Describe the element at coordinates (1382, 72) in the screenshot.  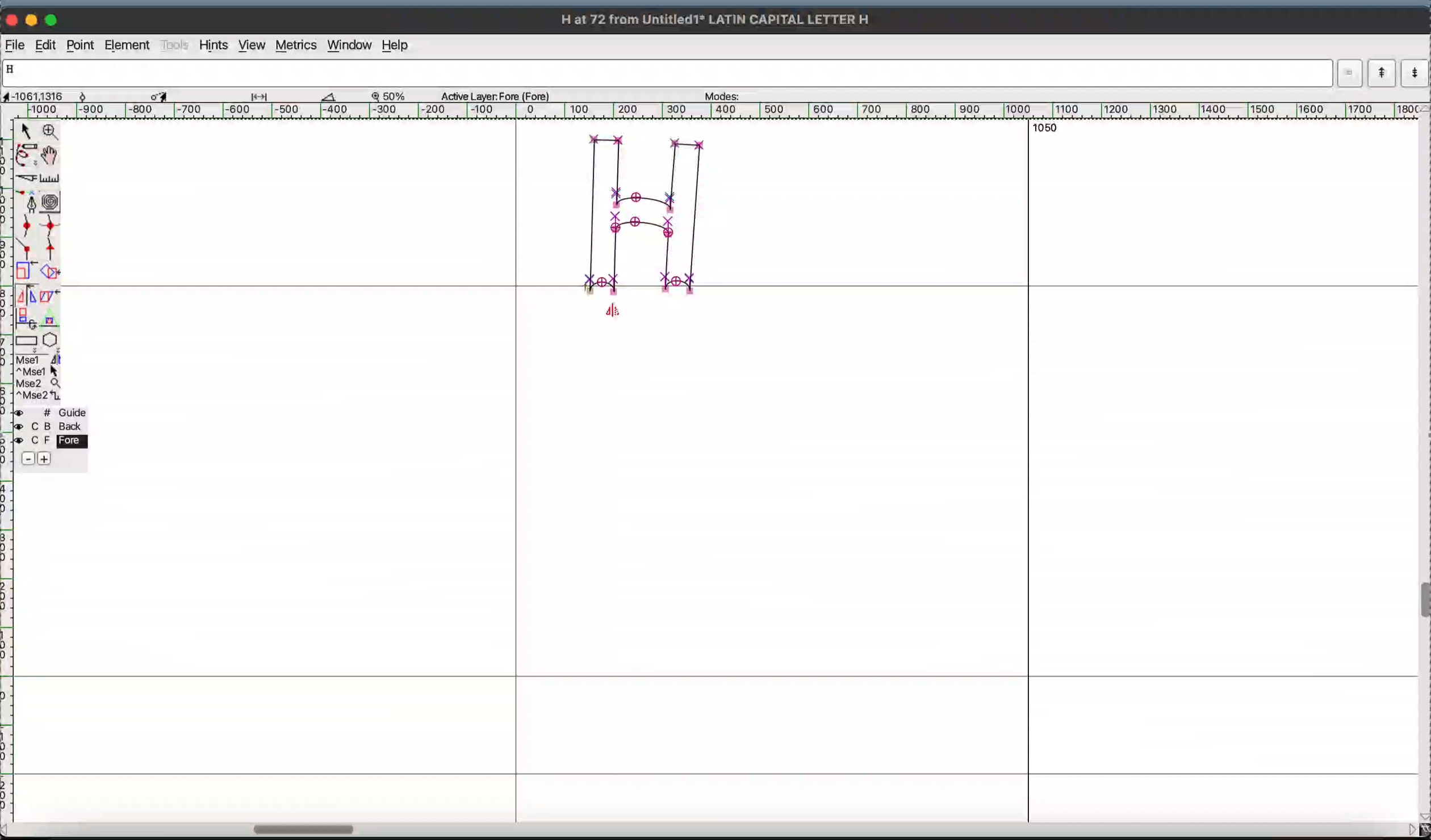
I see `previous word` at that location.